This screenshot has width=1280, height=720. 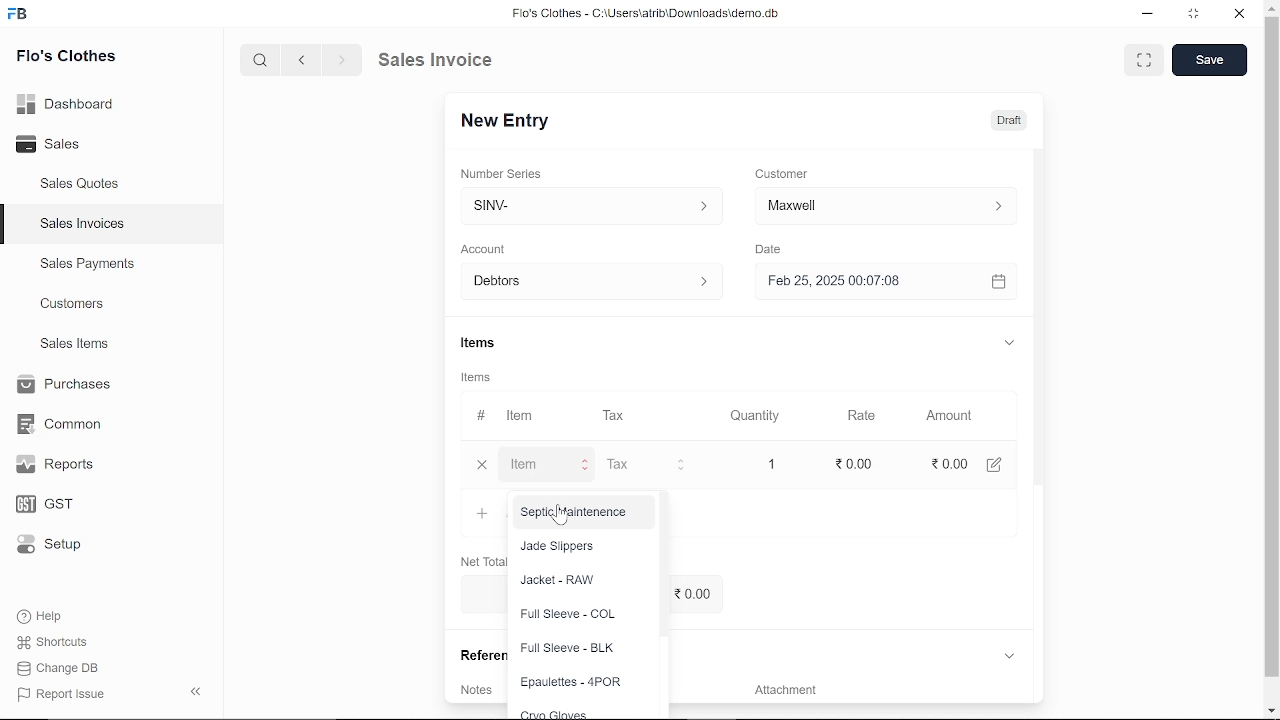 What do you see at coordinates (623, 417) in the screenshot?
I see `Tax` at bounding box center [623, 417].